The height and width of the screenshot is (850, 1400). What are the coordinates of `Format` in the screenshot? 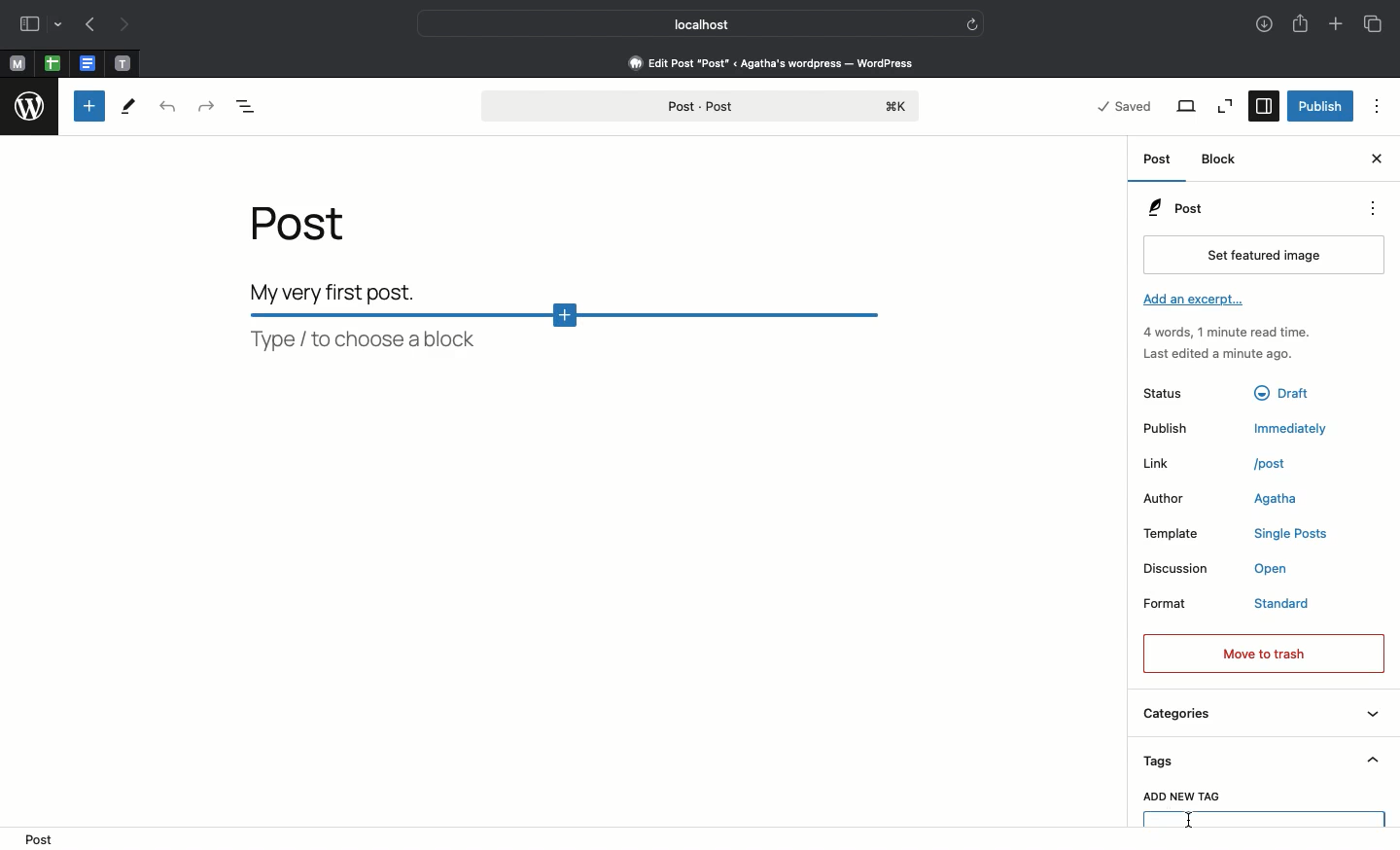 It's located at (1169, 605).